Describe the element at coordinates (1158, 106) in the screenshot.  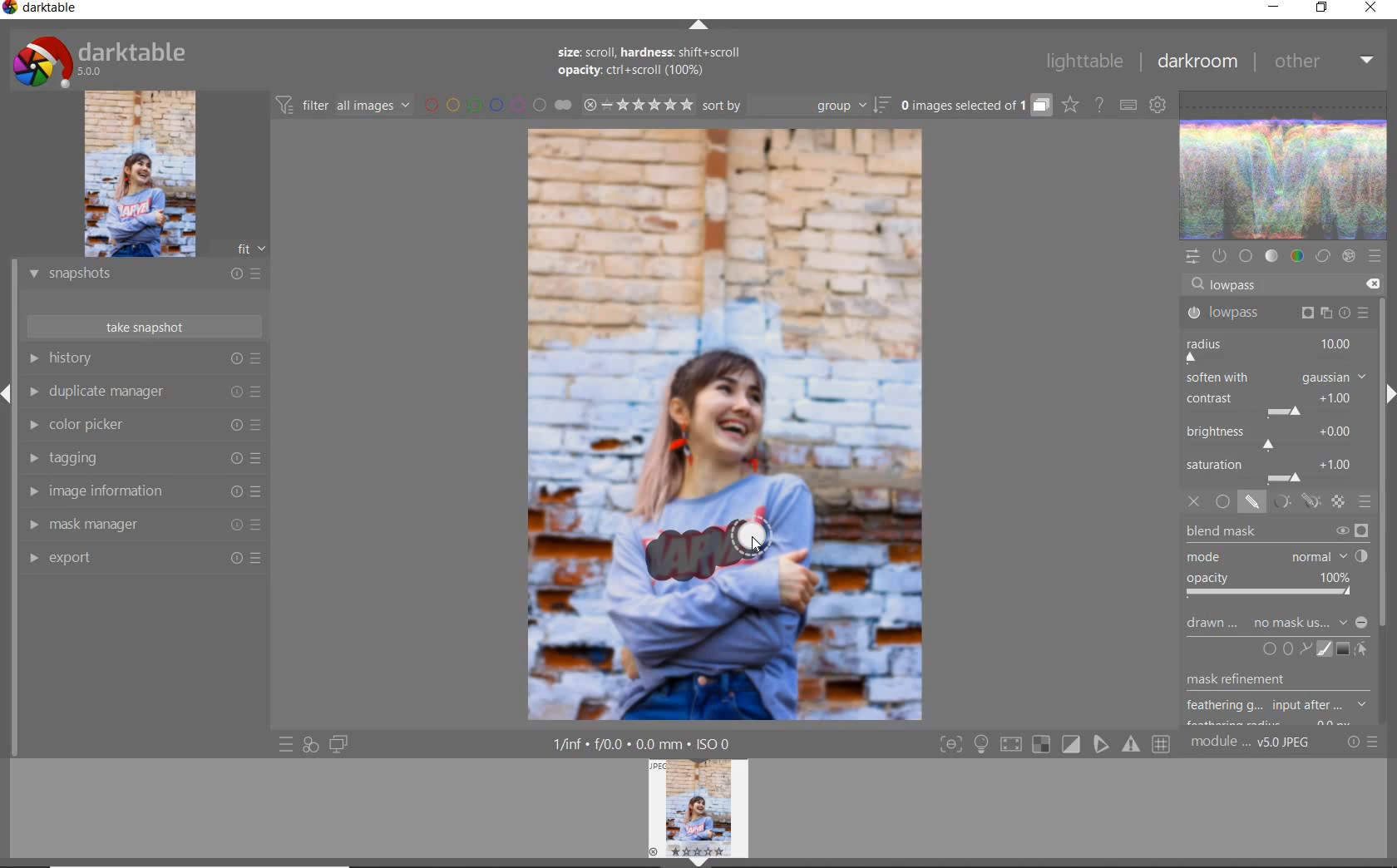
I see `show global preferences` at that location.